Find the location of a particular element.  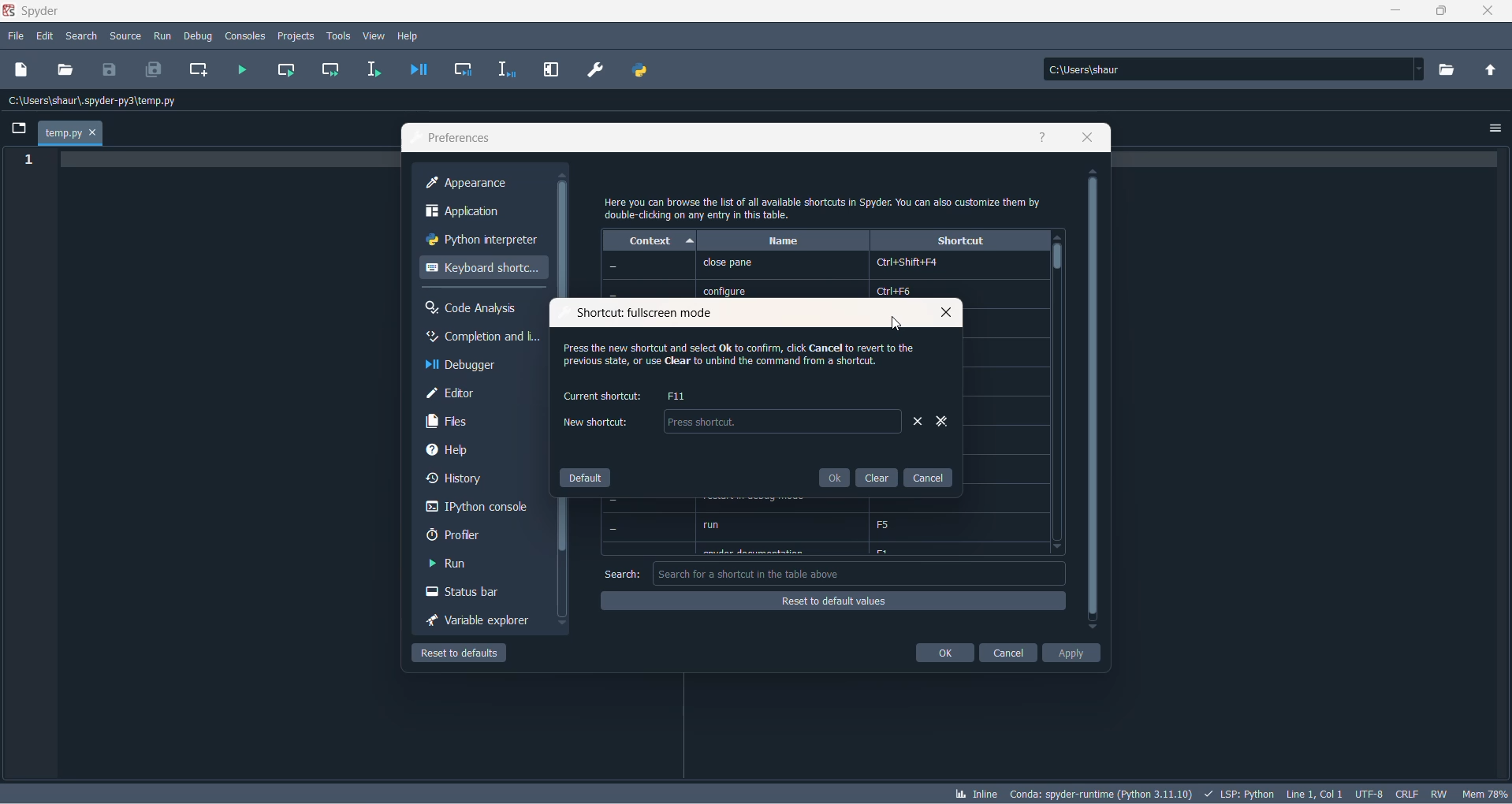

new shortcut is located at coordinates (598, 423).